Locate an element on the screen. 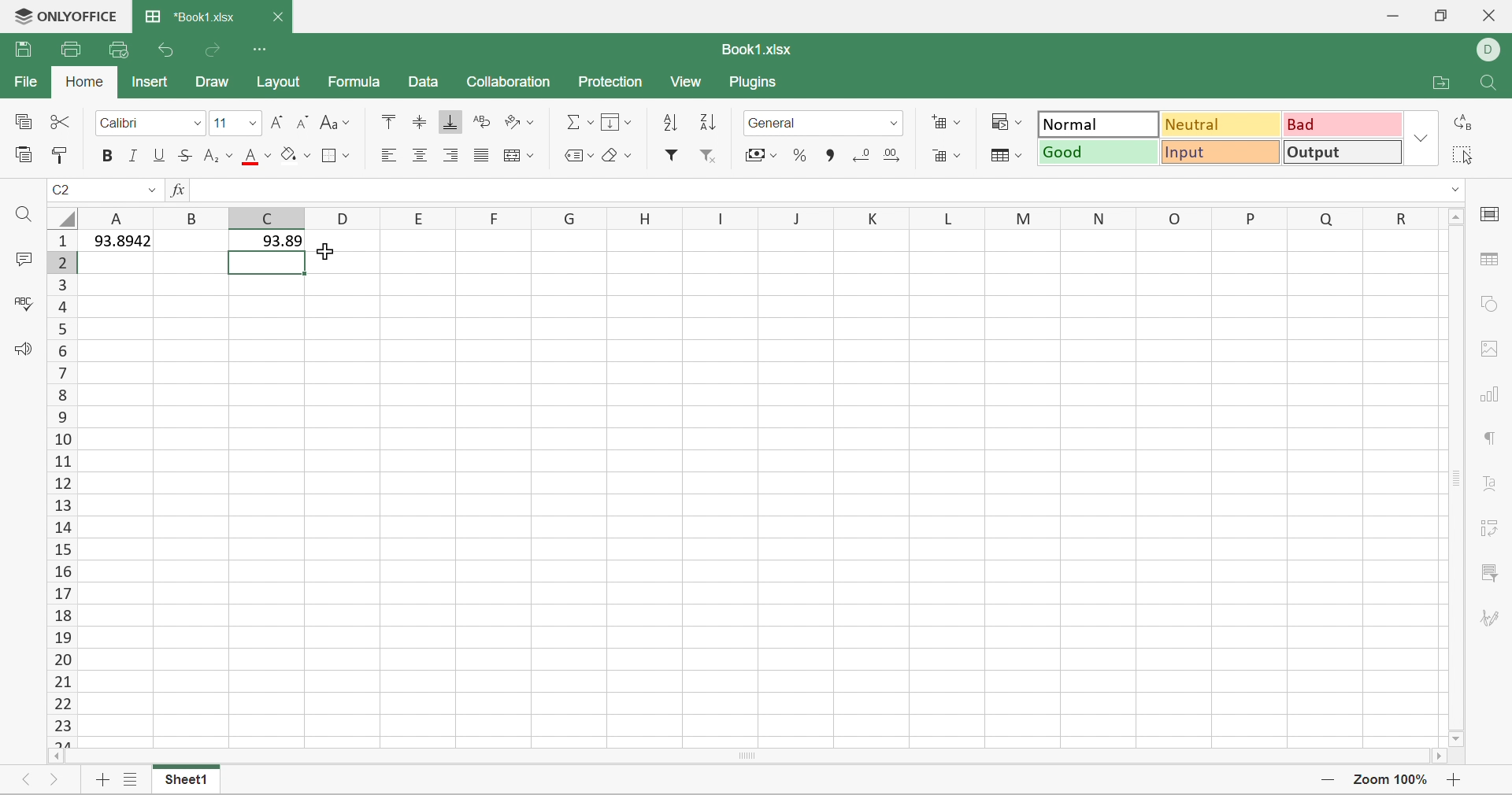  List of sheets is located at coordinates (128, 780).